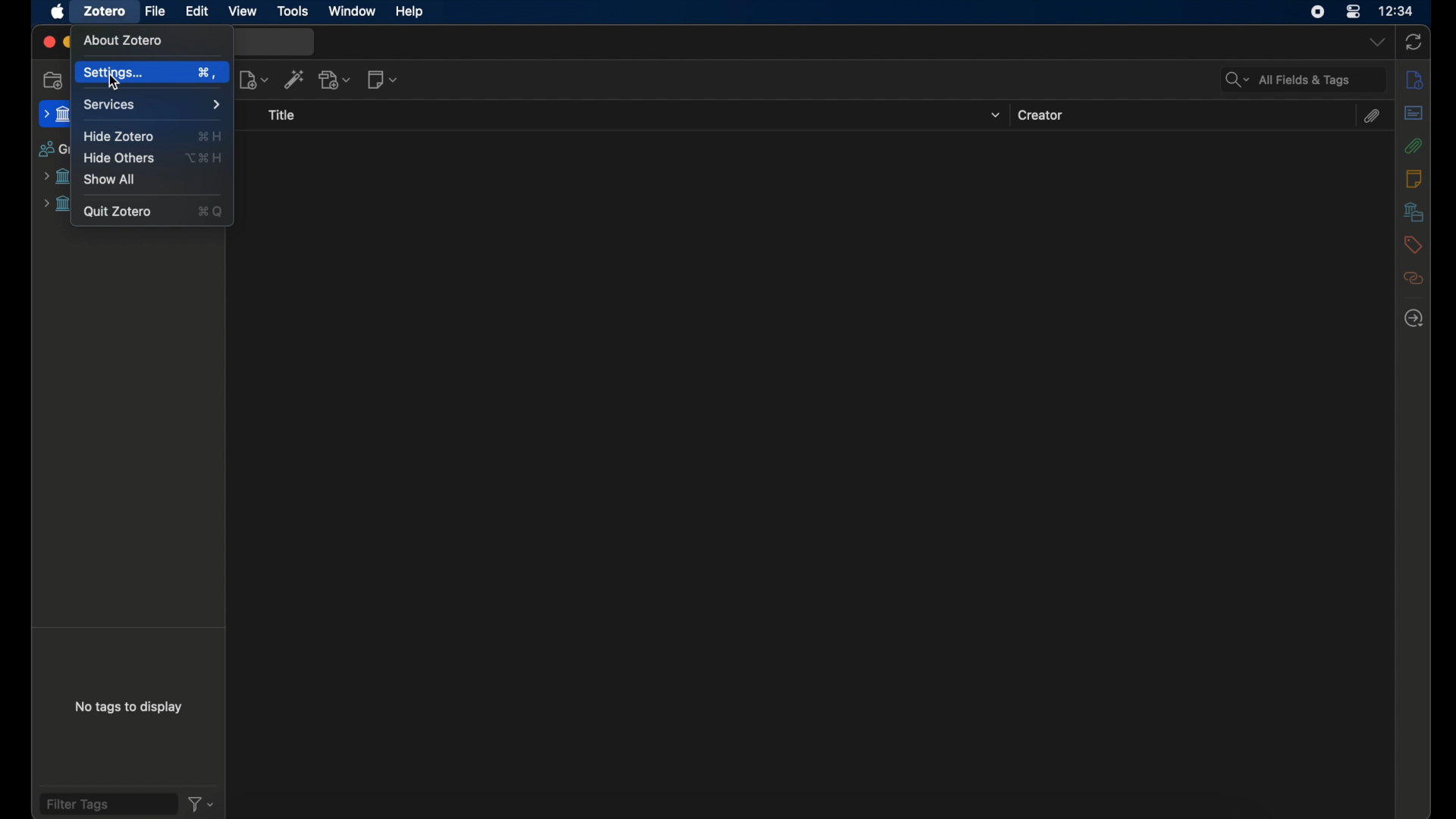  I want to click on sync, so click(1414, 42).